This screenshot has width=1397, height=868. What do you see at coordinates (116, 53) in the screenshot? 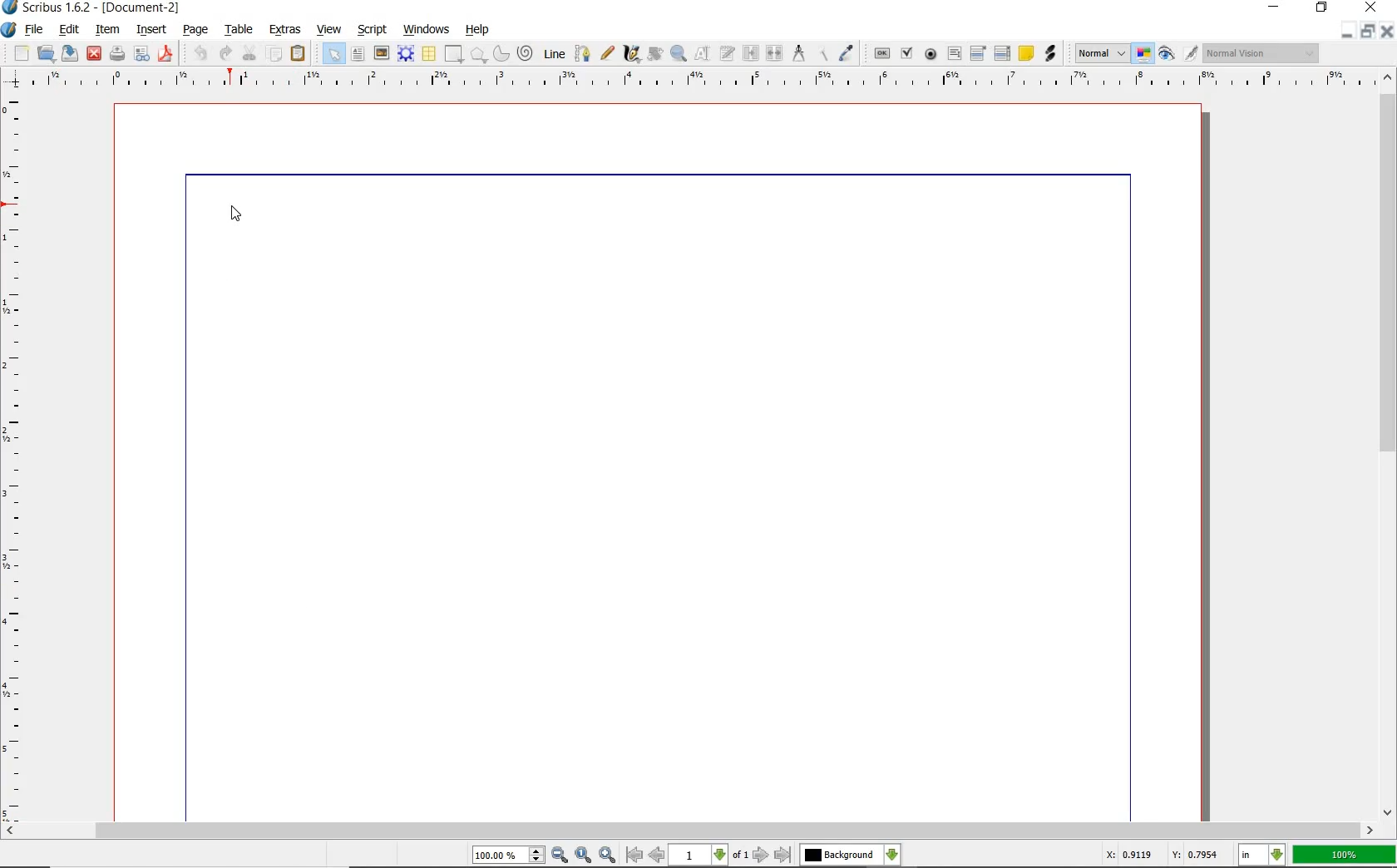
I see `print` at bounding box center [116, 53].